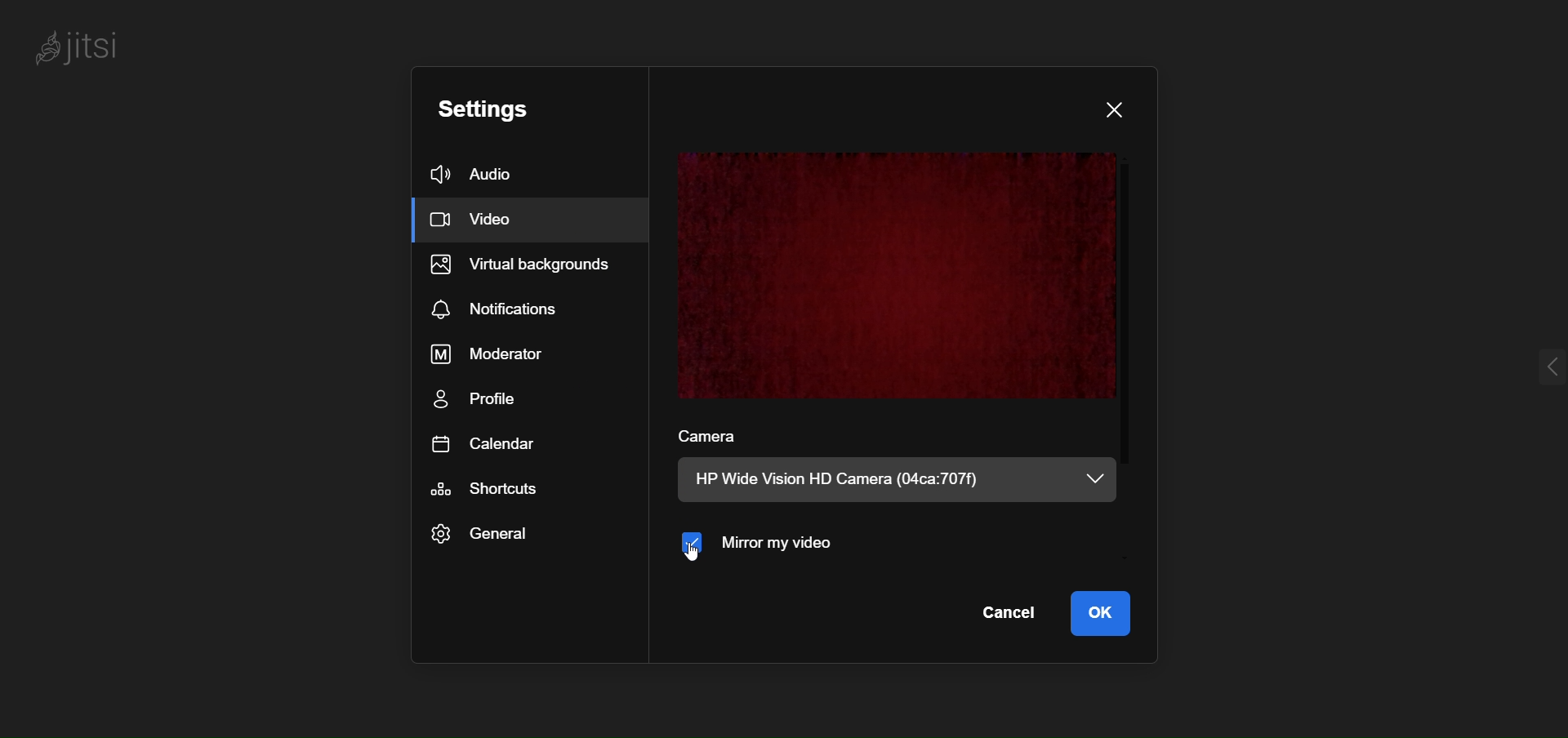 Image resolution: width=1568 pixels, height=738 pixels. Describe the element at coordinates (758, 542) in the screenshot. I see `mirror my video` at that location.